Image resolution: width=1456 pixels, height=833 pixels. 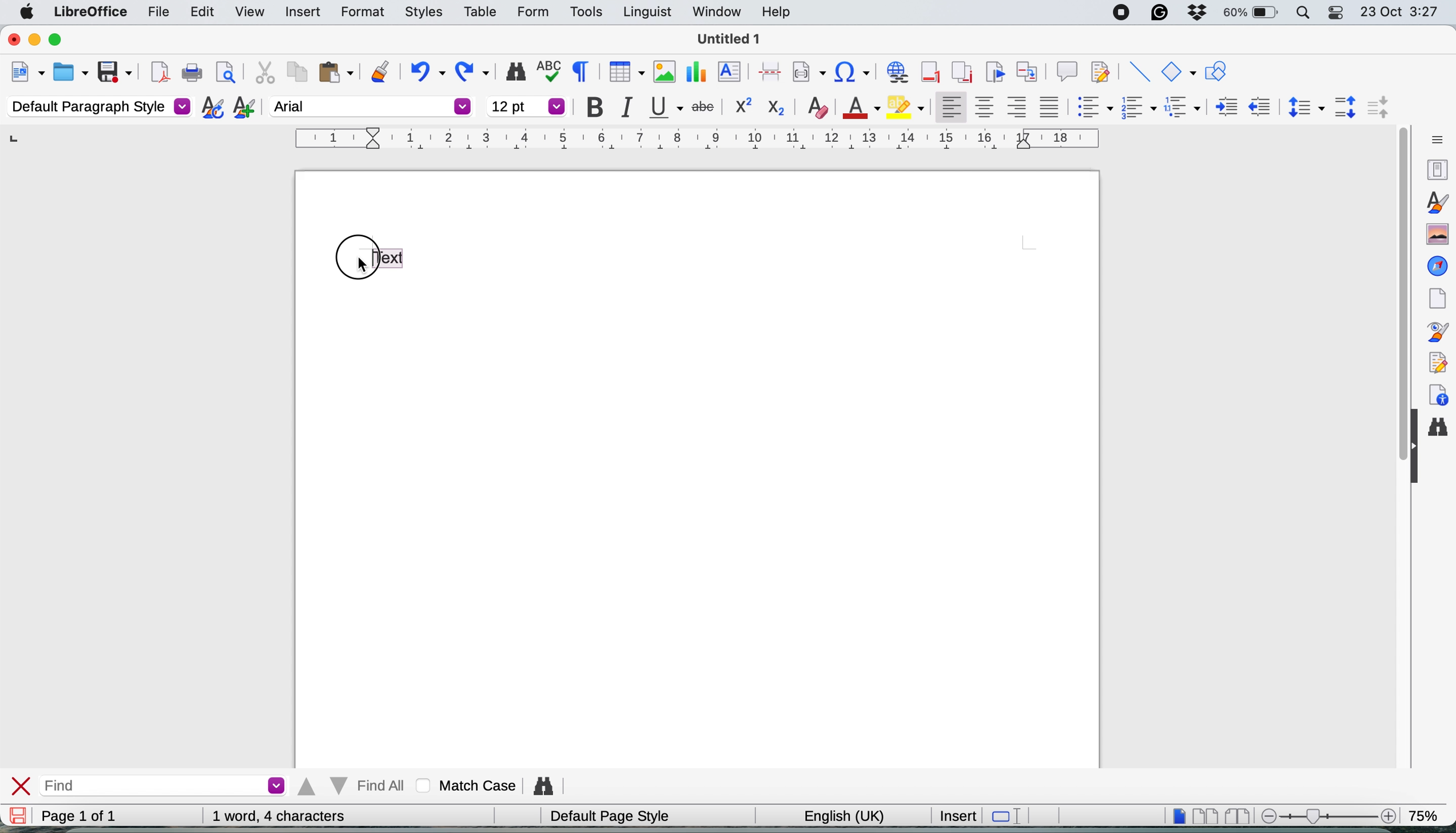 What do you see at coordinates (360, 265) in the screenshot?
I see `cursor` at bounding box center [360, 265].